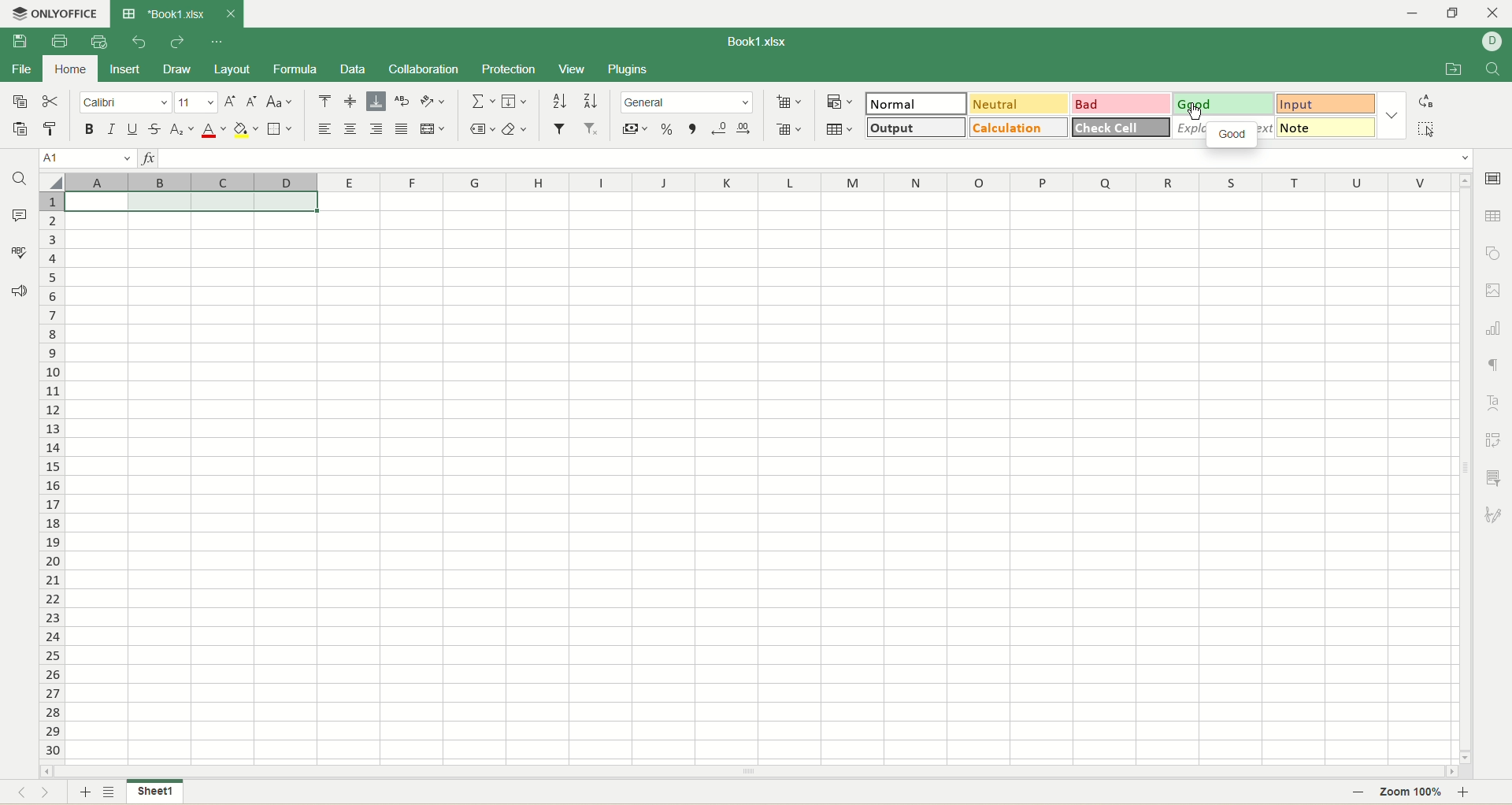 The height and width of the screenshot is (805, 1512). I want to click on draw, so click(176, 70).